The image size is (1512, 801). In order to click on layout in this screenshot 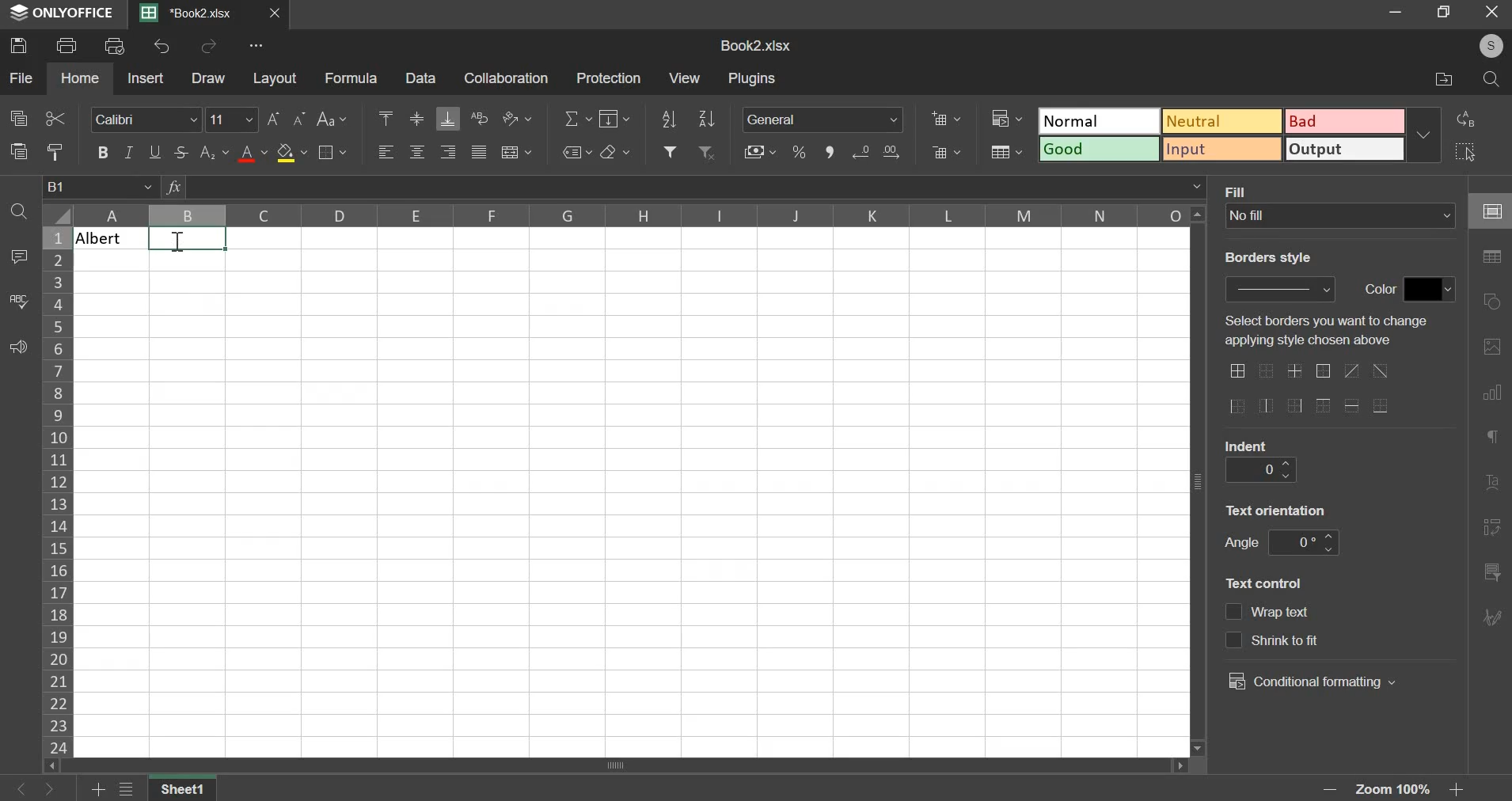, I will do `click(275, 79)`.